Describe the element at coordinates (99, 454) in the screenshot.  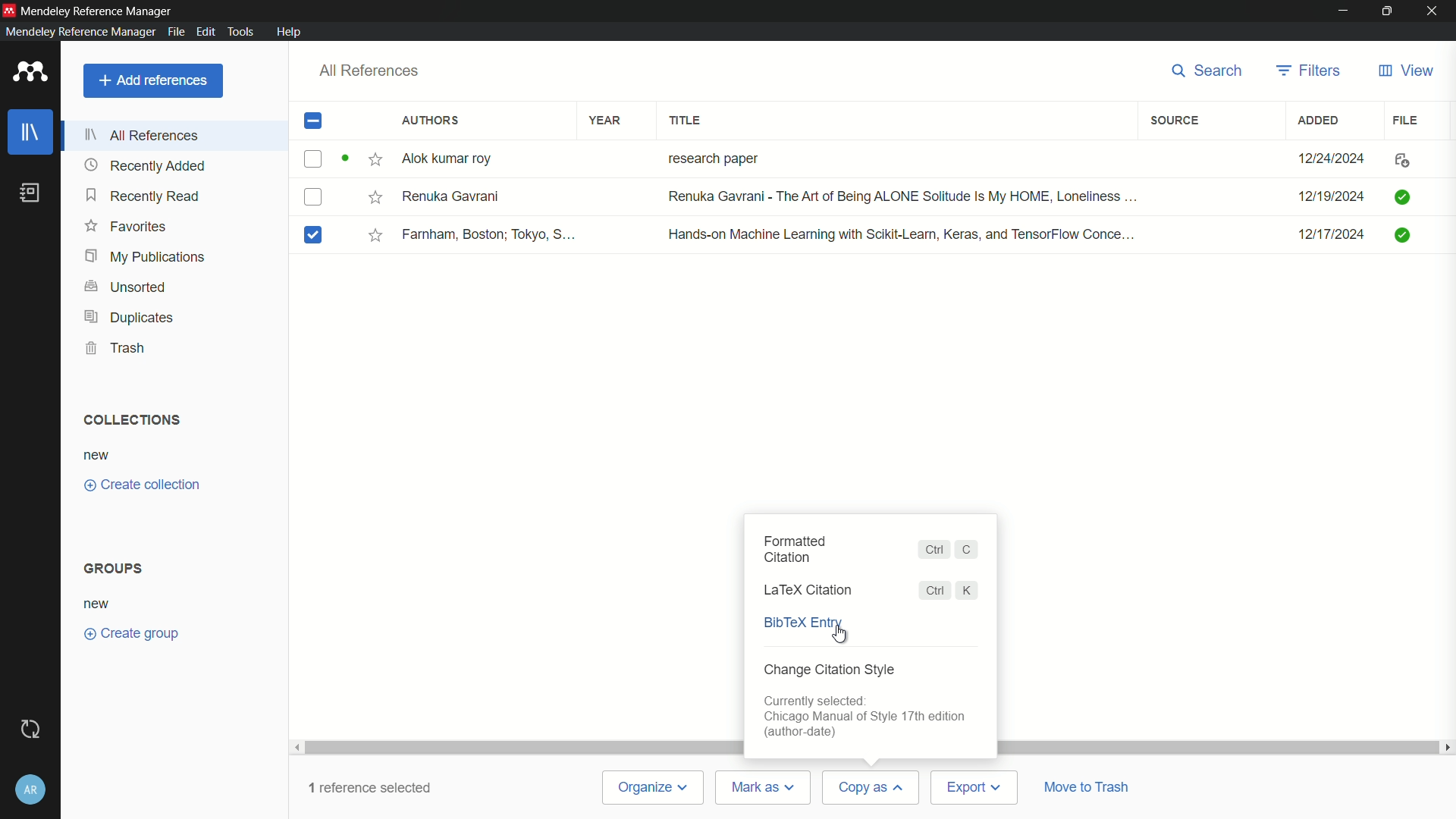
I see `new` at that location.